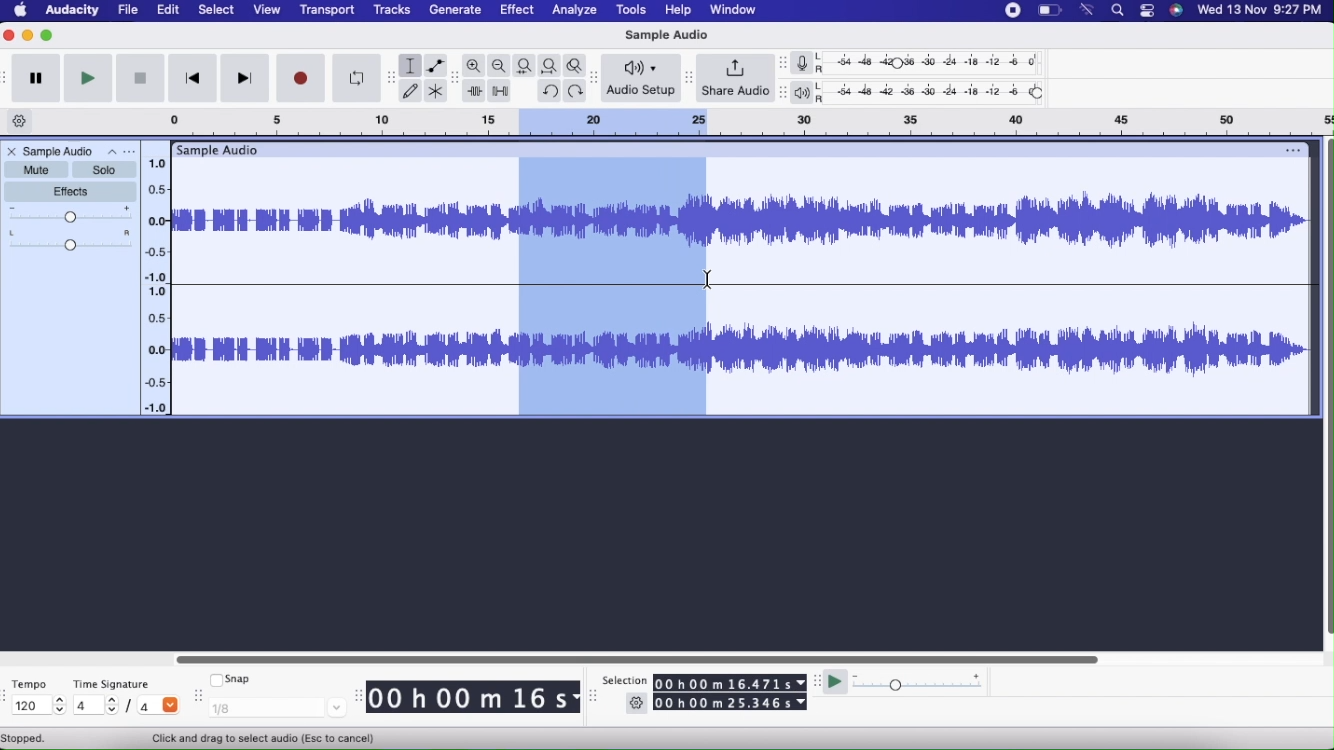 The image size is (1334, 750). I want to click on tracks, so click(394, 12).